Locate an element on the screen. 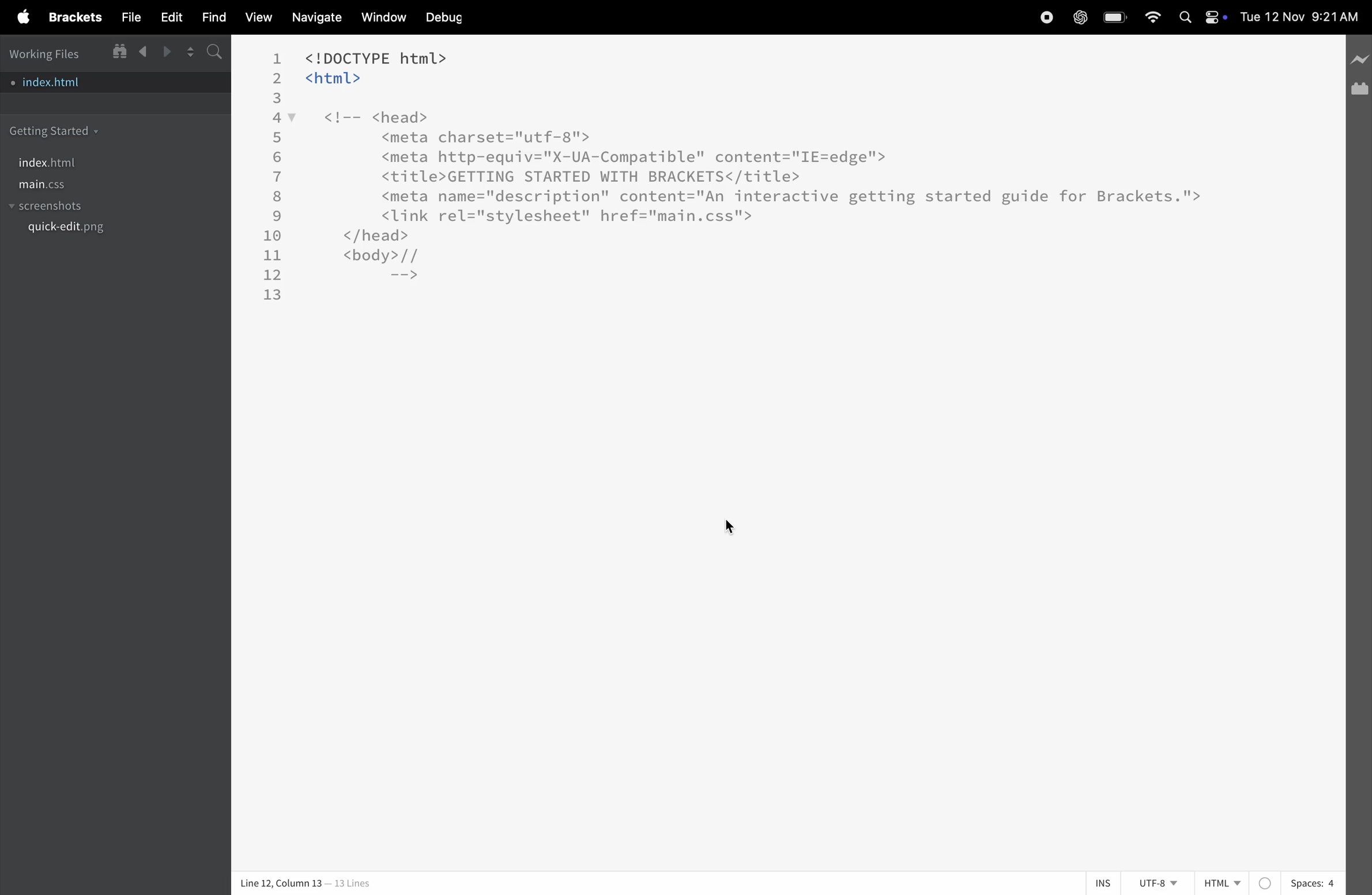 This screenshot has width=1372, height=895. line number is located at coordinates (271, 179).